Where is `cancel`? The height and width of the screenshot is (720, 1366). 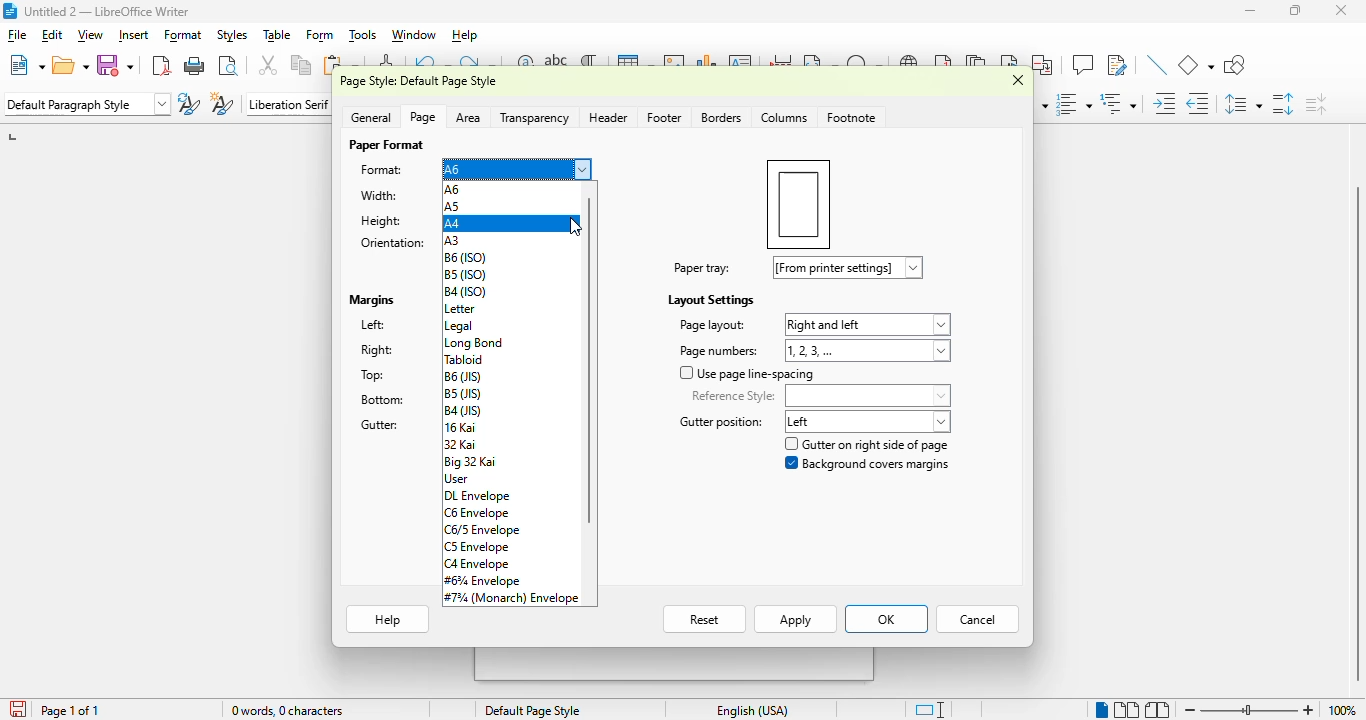 cancel is located at coordinates (980, 619).